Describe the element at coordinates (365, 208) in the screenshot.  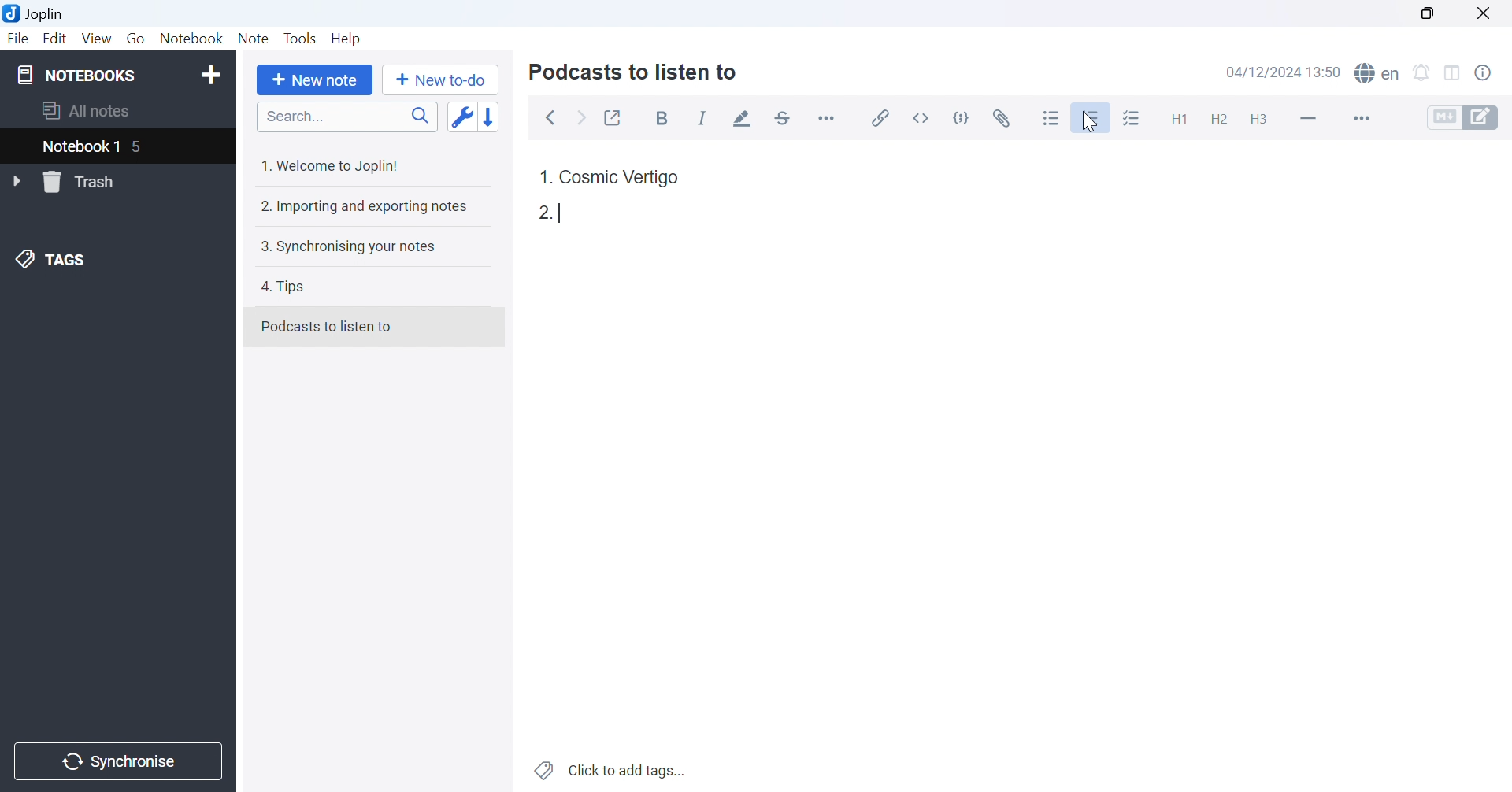
I see `2. Importing and exporting notes` at that location.